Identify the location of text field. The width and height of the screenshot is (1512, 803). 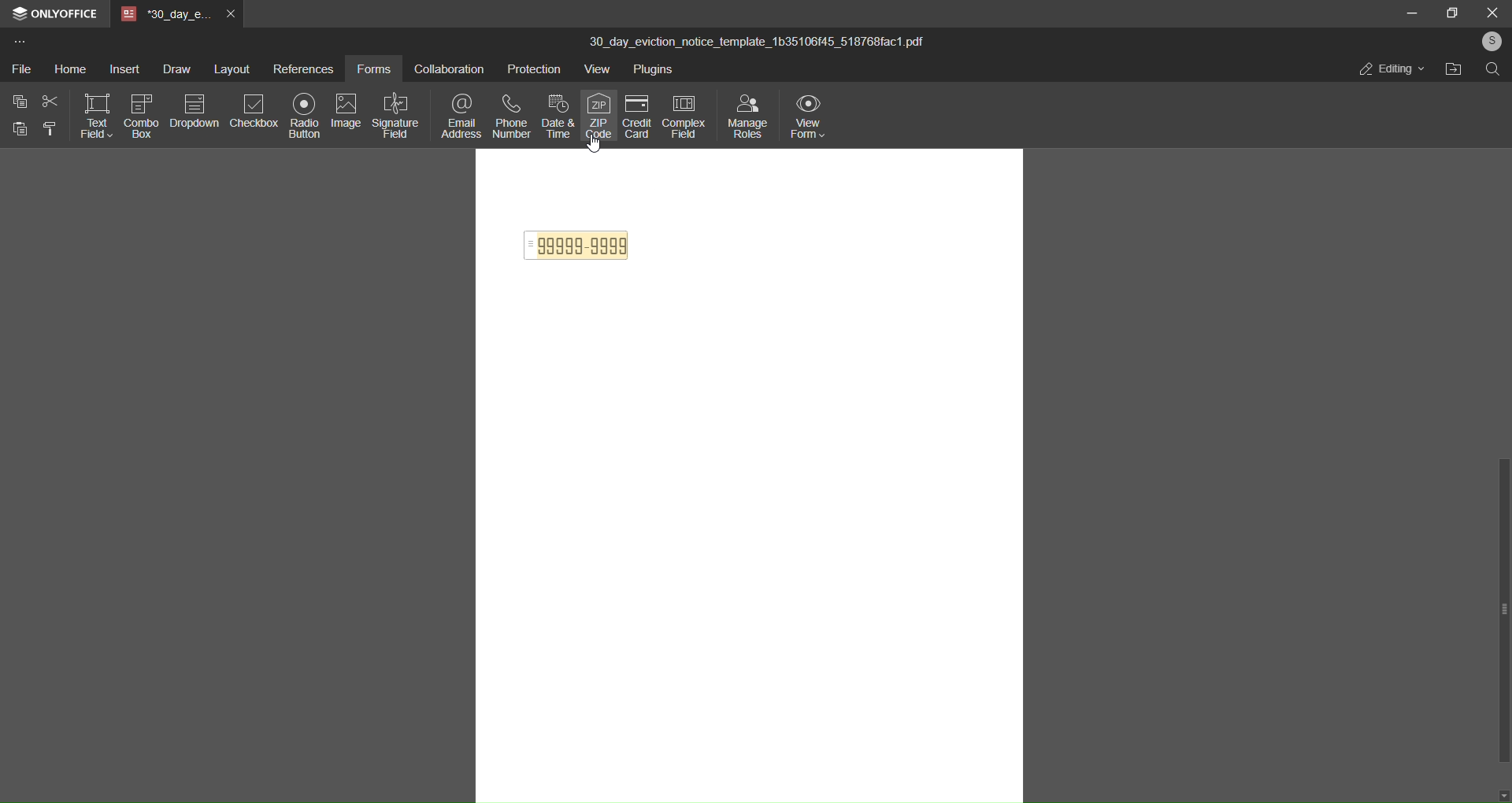
(98, 113).